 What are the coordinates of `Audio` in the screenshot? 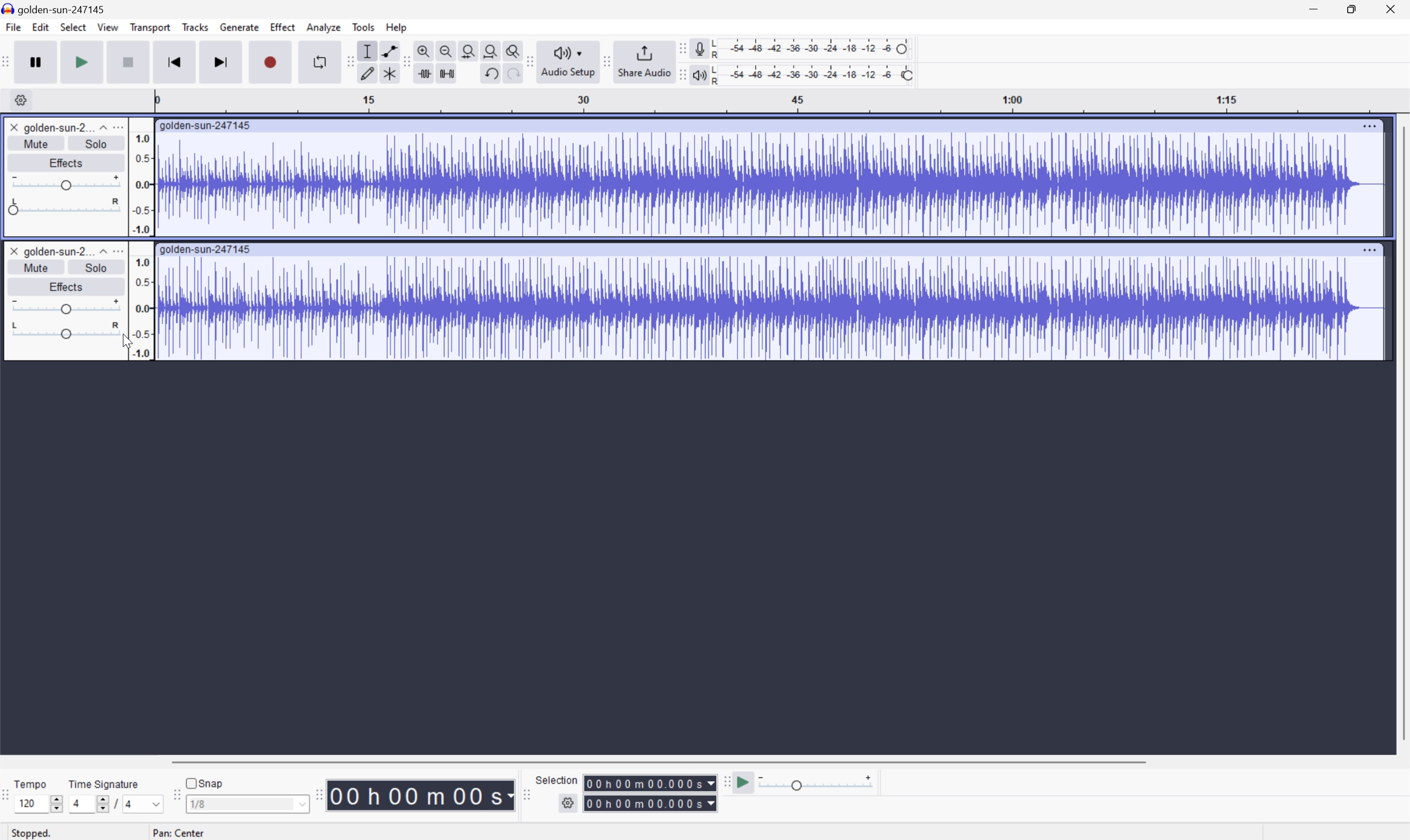 It's located at (772, 185).